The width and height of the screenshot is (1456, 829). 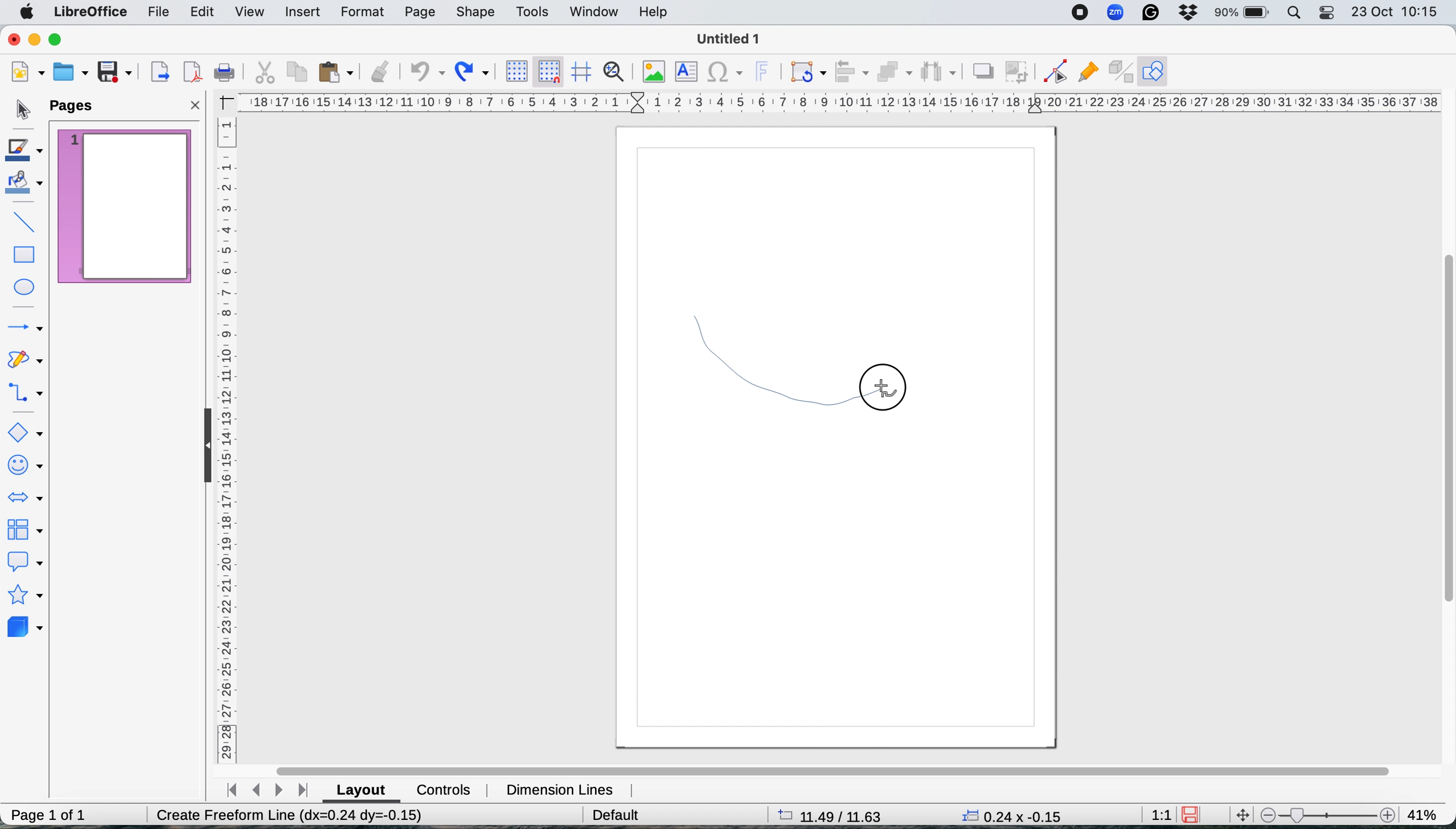 What do you see at coordinates (192, 71) in the screenshot?
I see `export directly as pdf` at bounding box center [192, 71].